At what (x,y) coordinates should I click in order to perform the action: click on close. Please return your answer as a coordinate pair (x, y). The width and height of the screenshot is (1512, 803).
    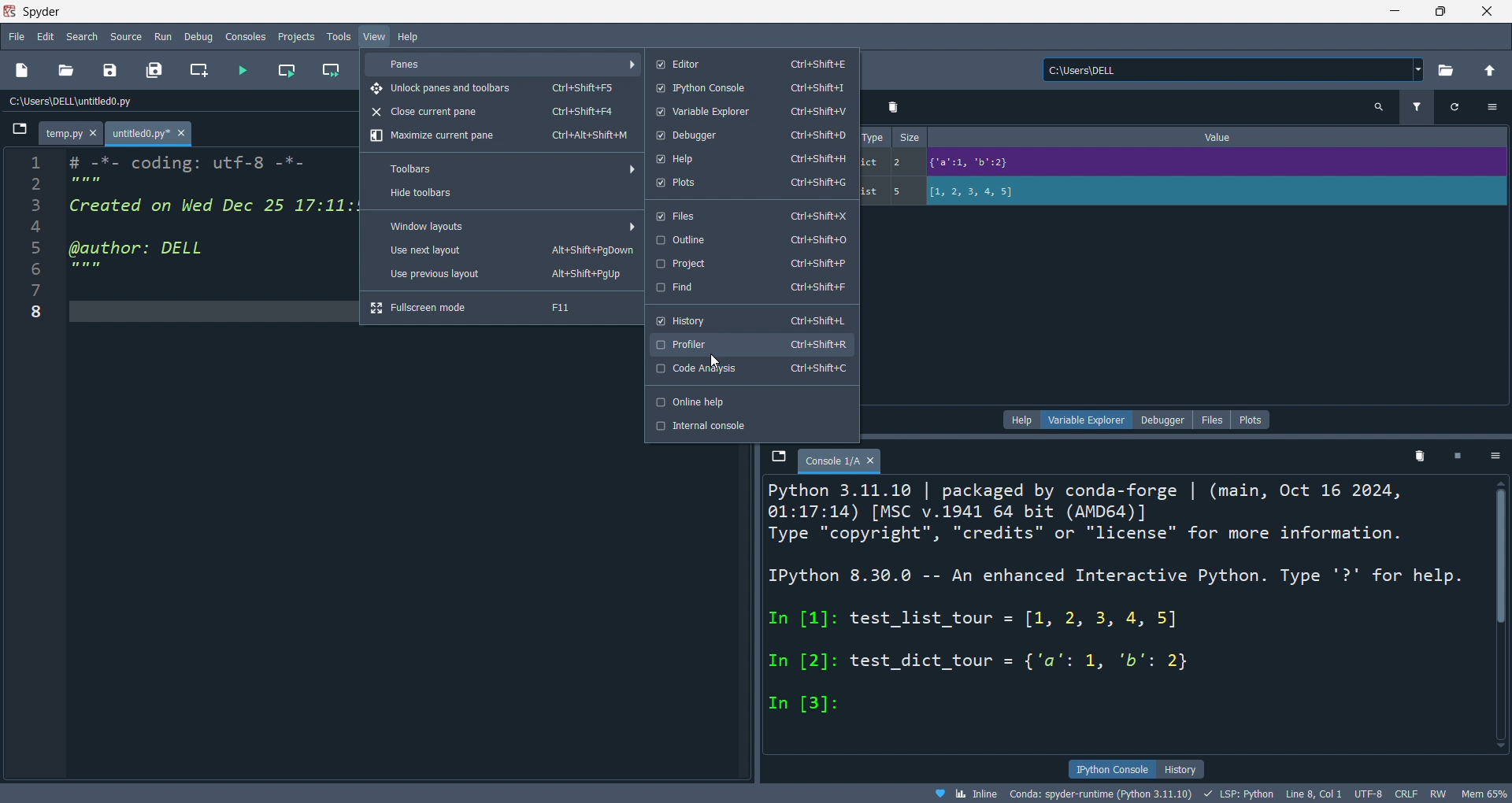
    Looking at the image, I should click on (1493, 12).